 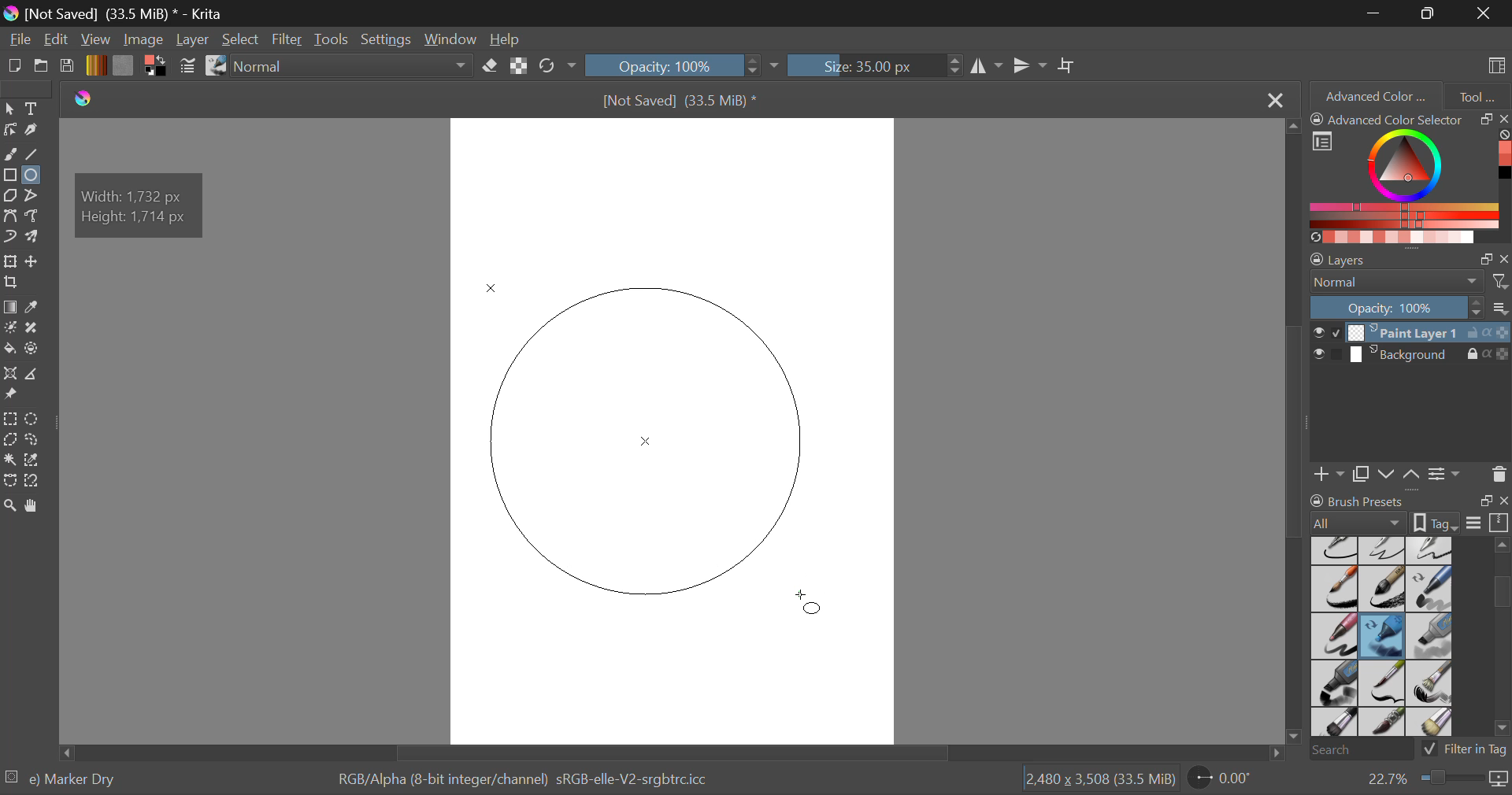 I want to click on slider, so click(x=1495, y=637).